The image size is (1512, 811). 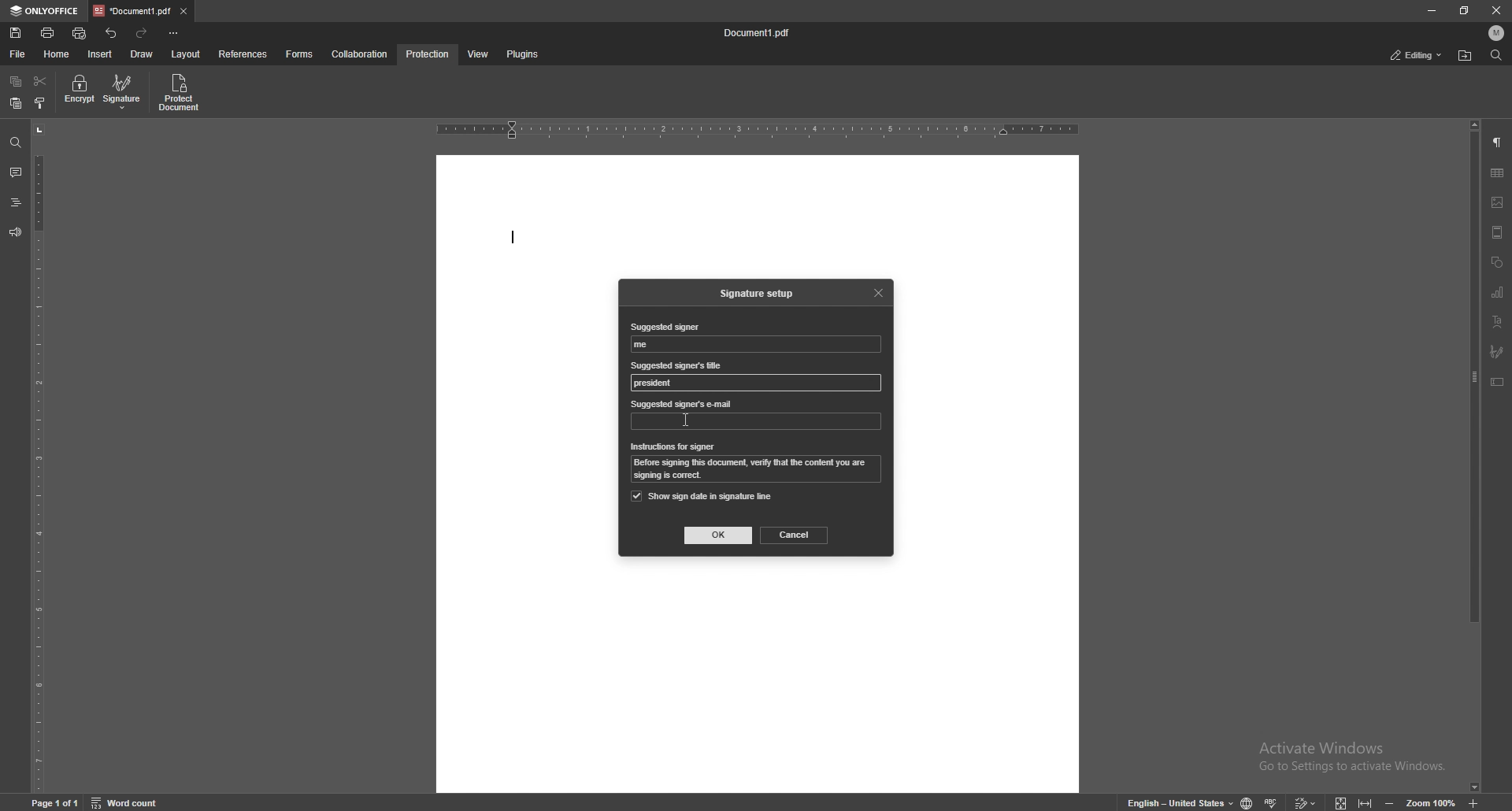 I want to click on signature setup, so click(x=760, y=294).